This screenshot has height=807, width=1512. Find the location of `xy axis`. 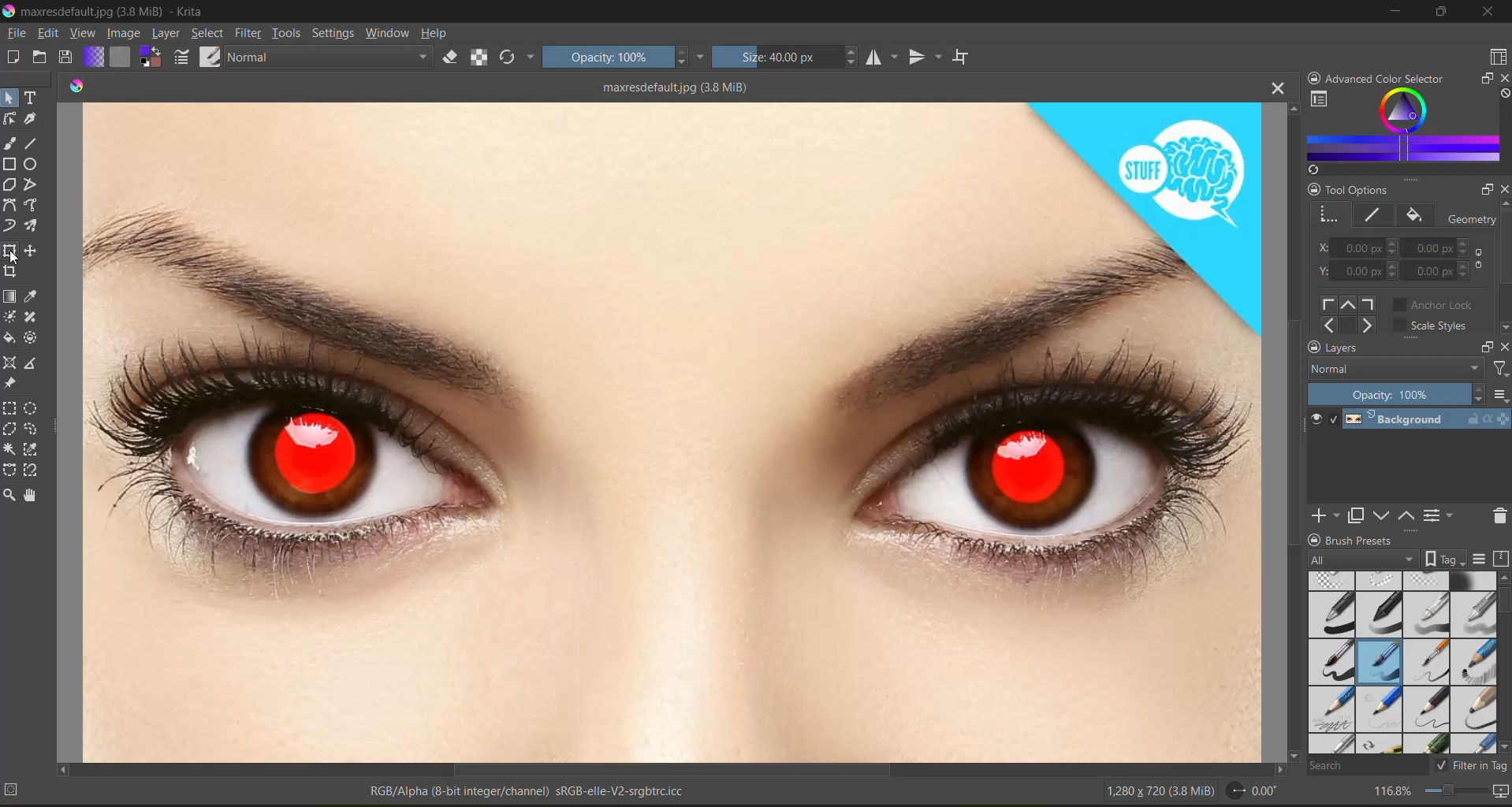

xy axis is located at coordinates (1358, 247).